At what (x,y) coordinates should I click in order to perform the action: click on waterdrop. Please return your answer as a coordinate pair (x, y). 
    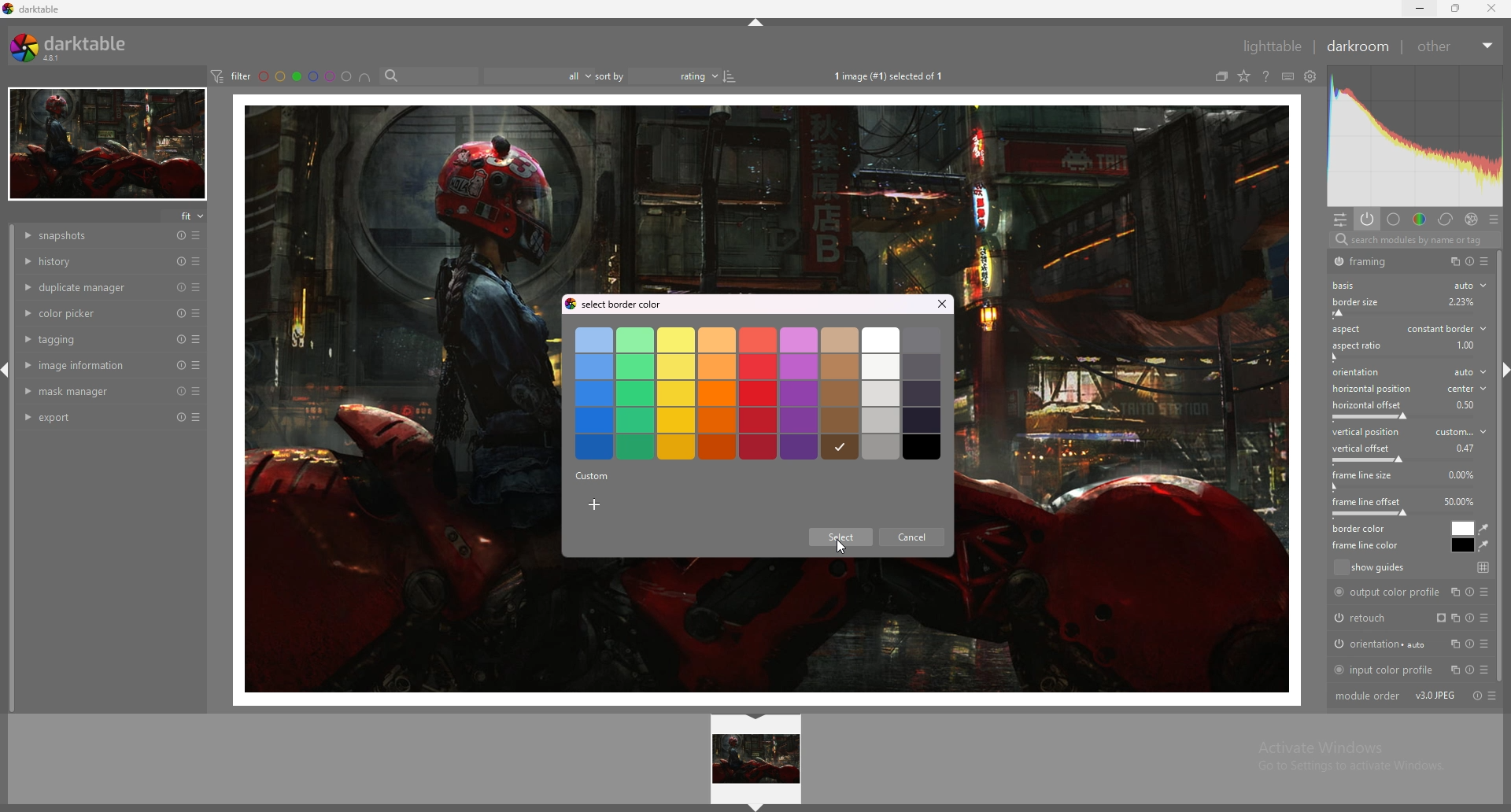
    Looking at the image, I should click on (1484, 546).